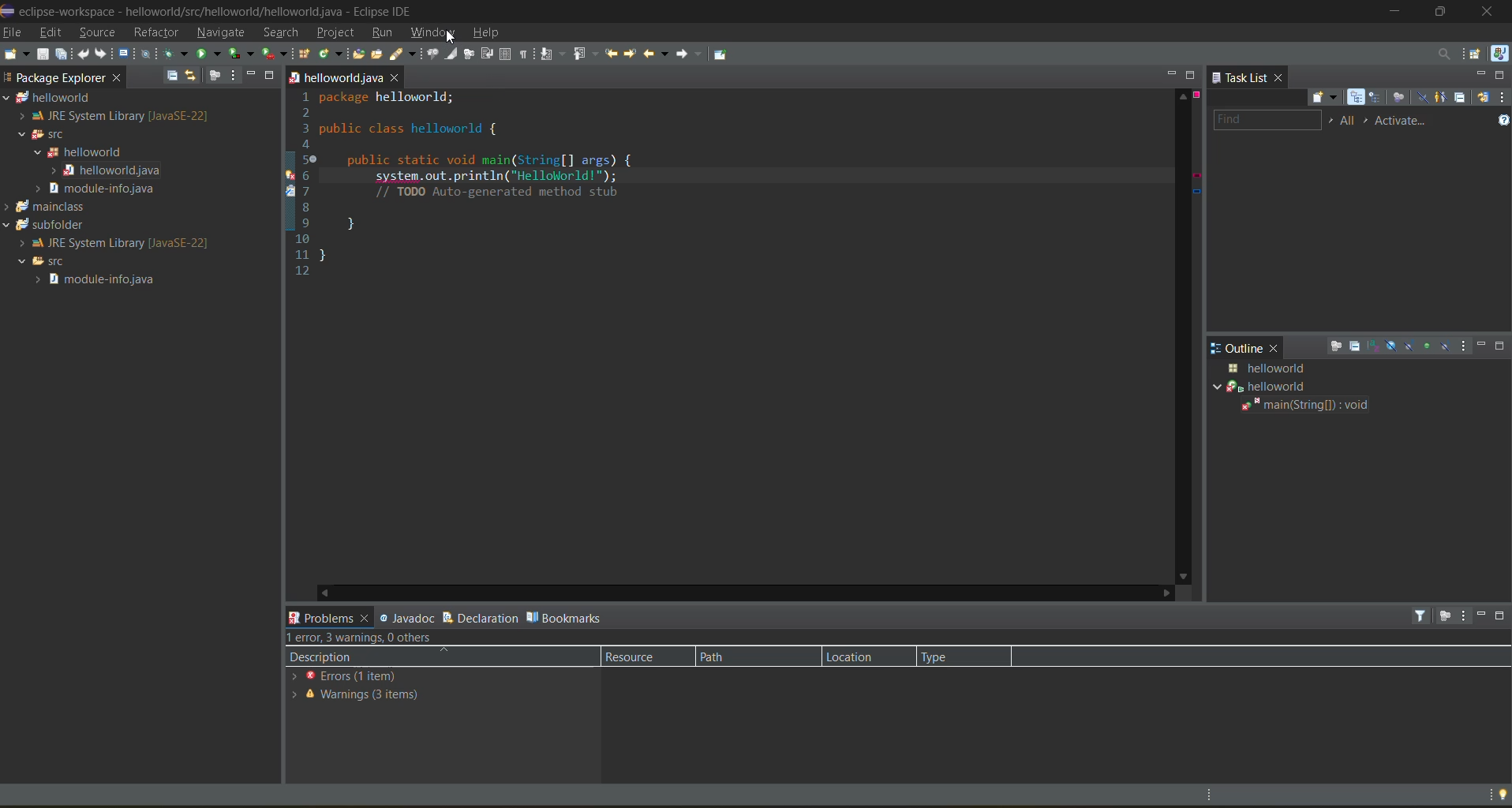 This screenshot has height=808, width=1512. I want to click on tip of the day, so click(1501, 795).